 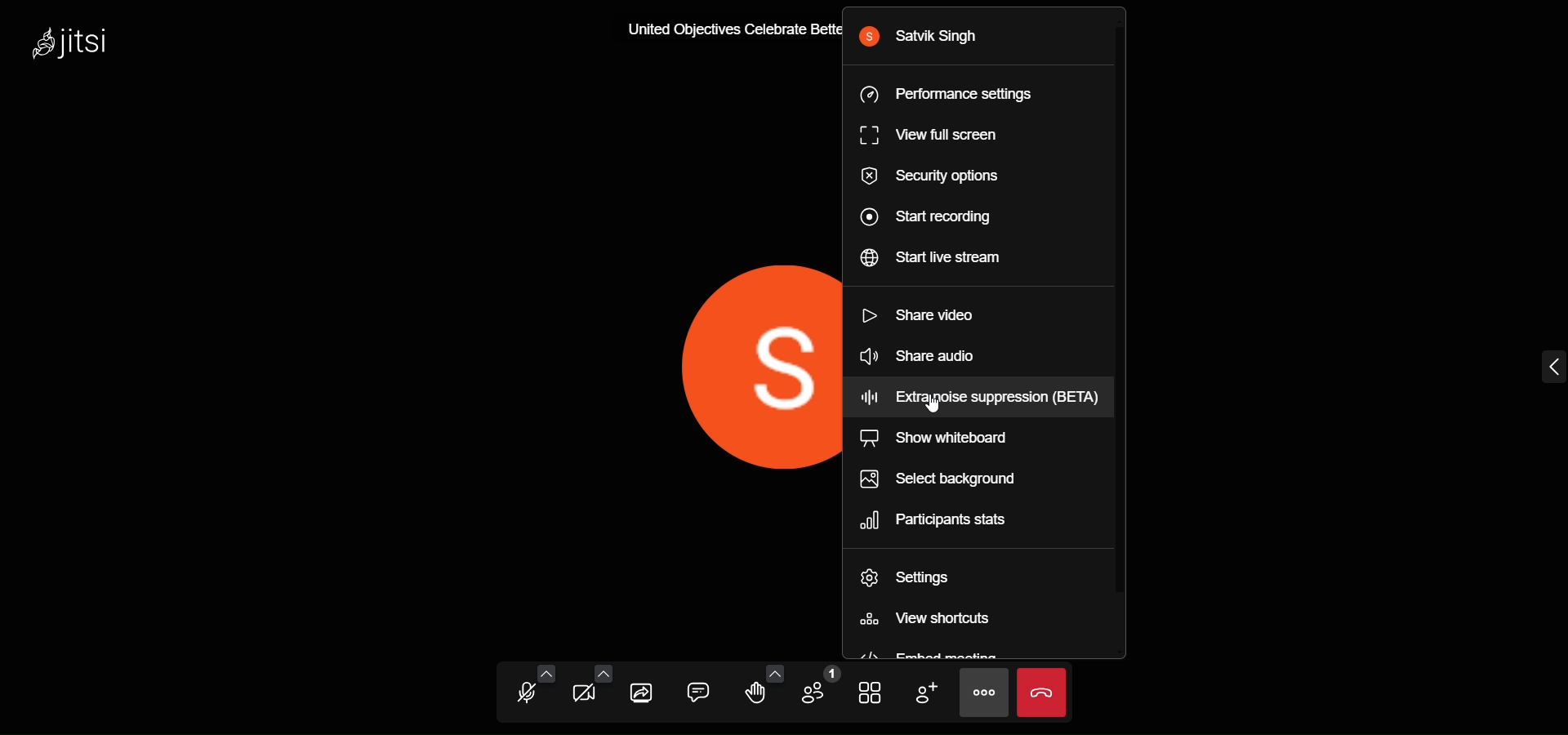 What do you see at coordinates (745, 356) in the screenshot?
I see `display picture` at bounding box center [745, 356].